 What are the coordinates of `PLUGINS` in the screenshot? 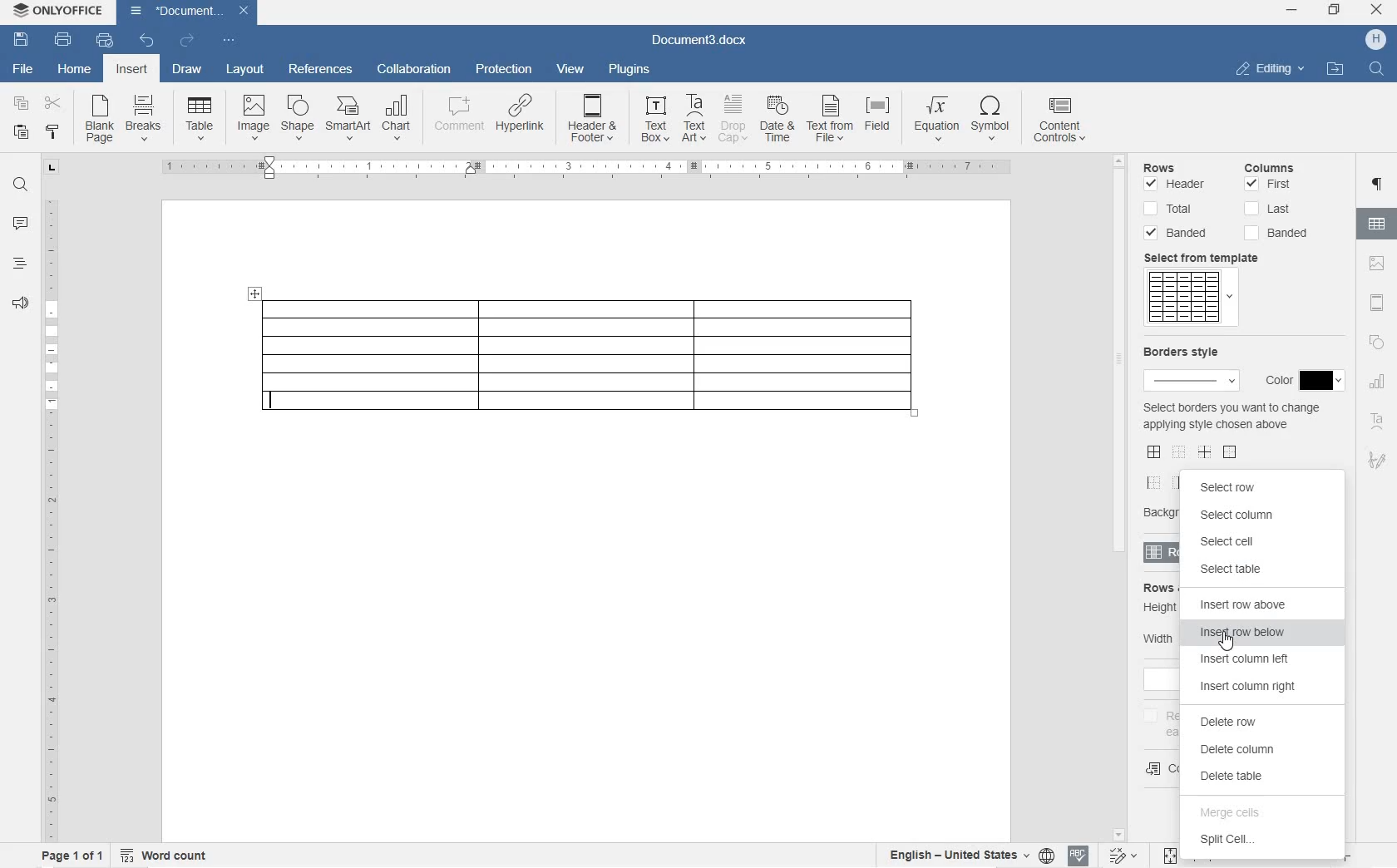 It's located at (630, 70).